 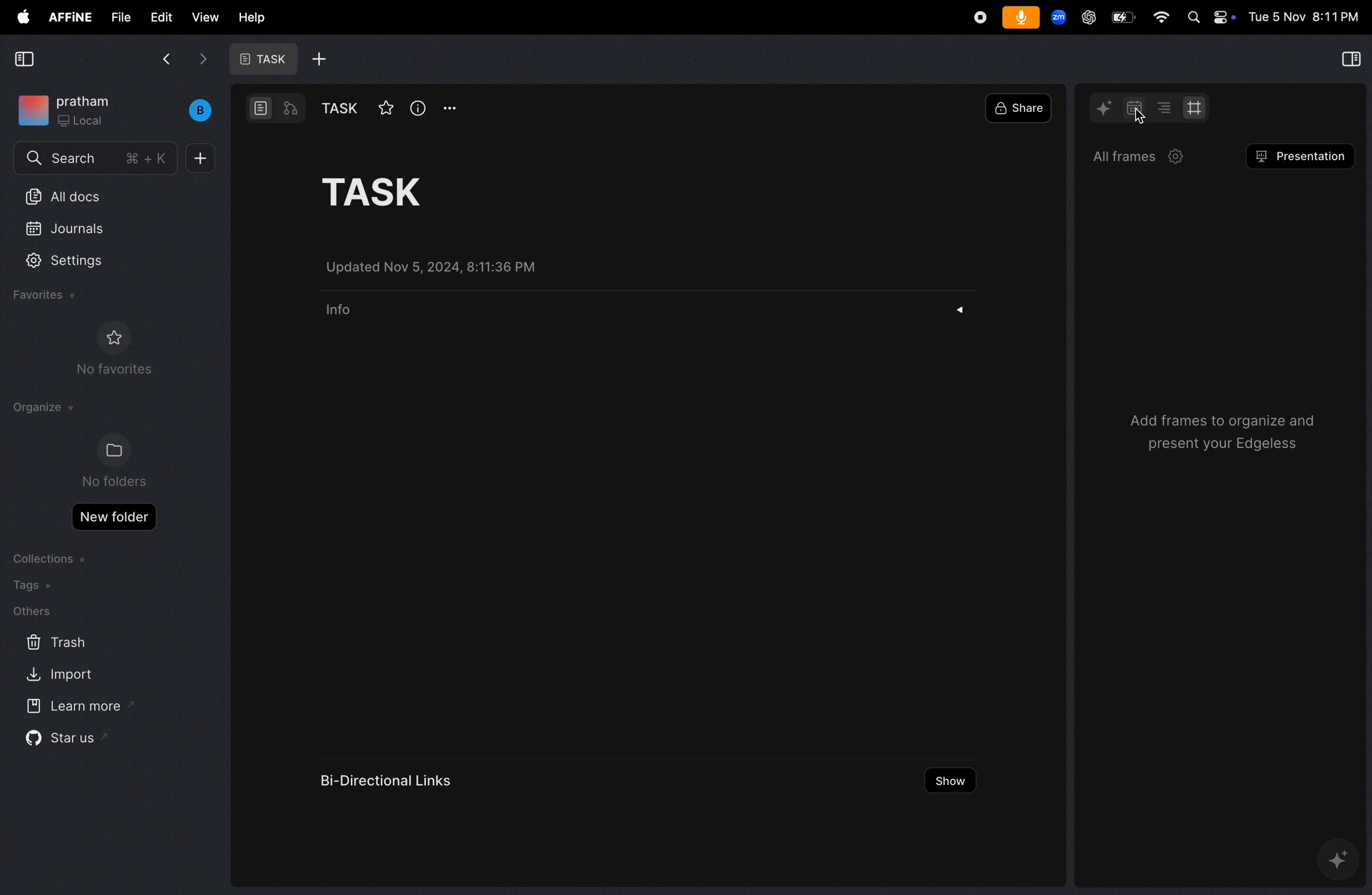 What do you see at coordinates (54, 643) in the screenshot?
I see `trash` at bounding box center [54, 643].